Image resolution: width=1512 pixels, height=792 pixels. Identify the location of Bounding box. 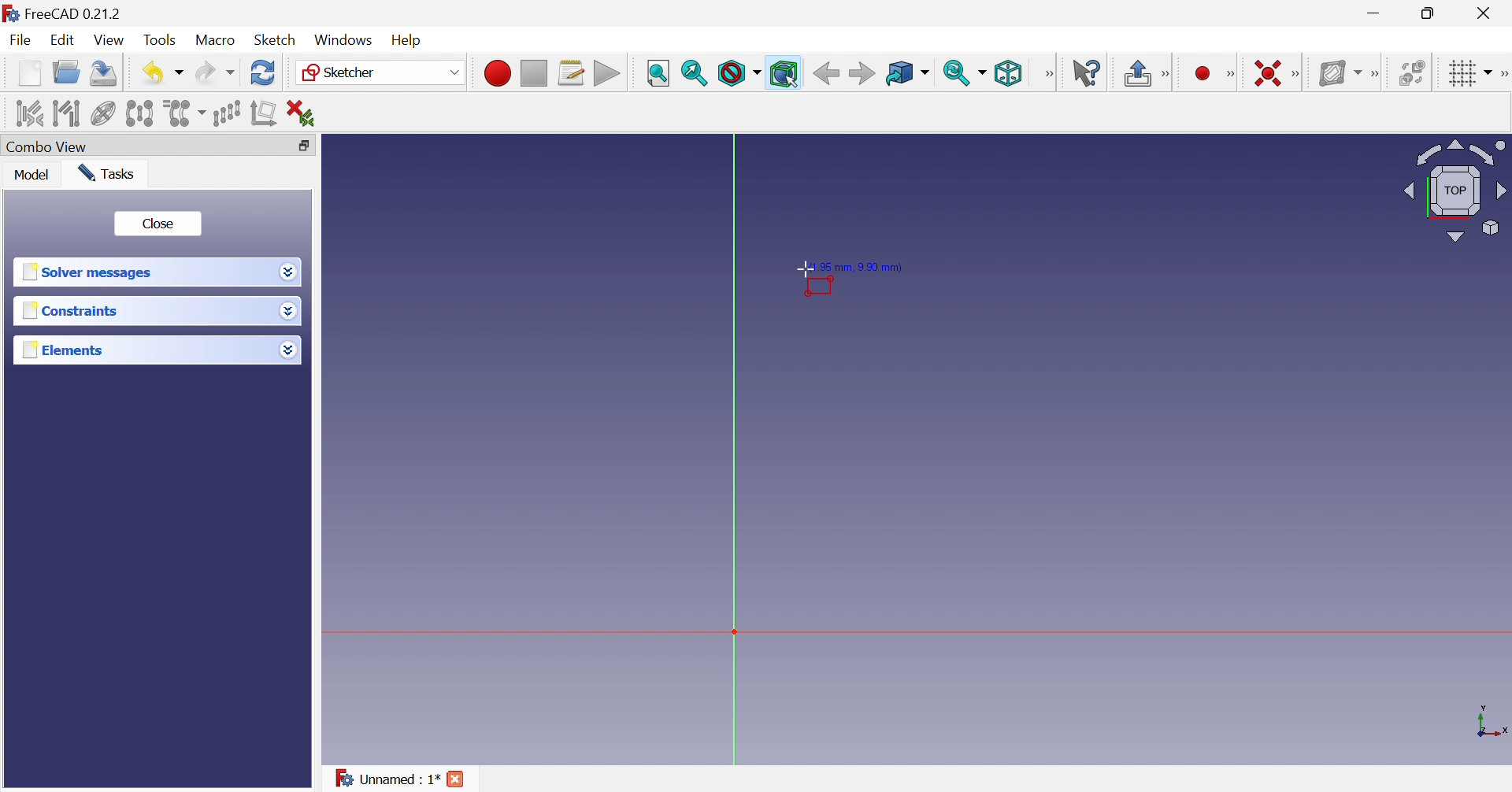
(784, 74).